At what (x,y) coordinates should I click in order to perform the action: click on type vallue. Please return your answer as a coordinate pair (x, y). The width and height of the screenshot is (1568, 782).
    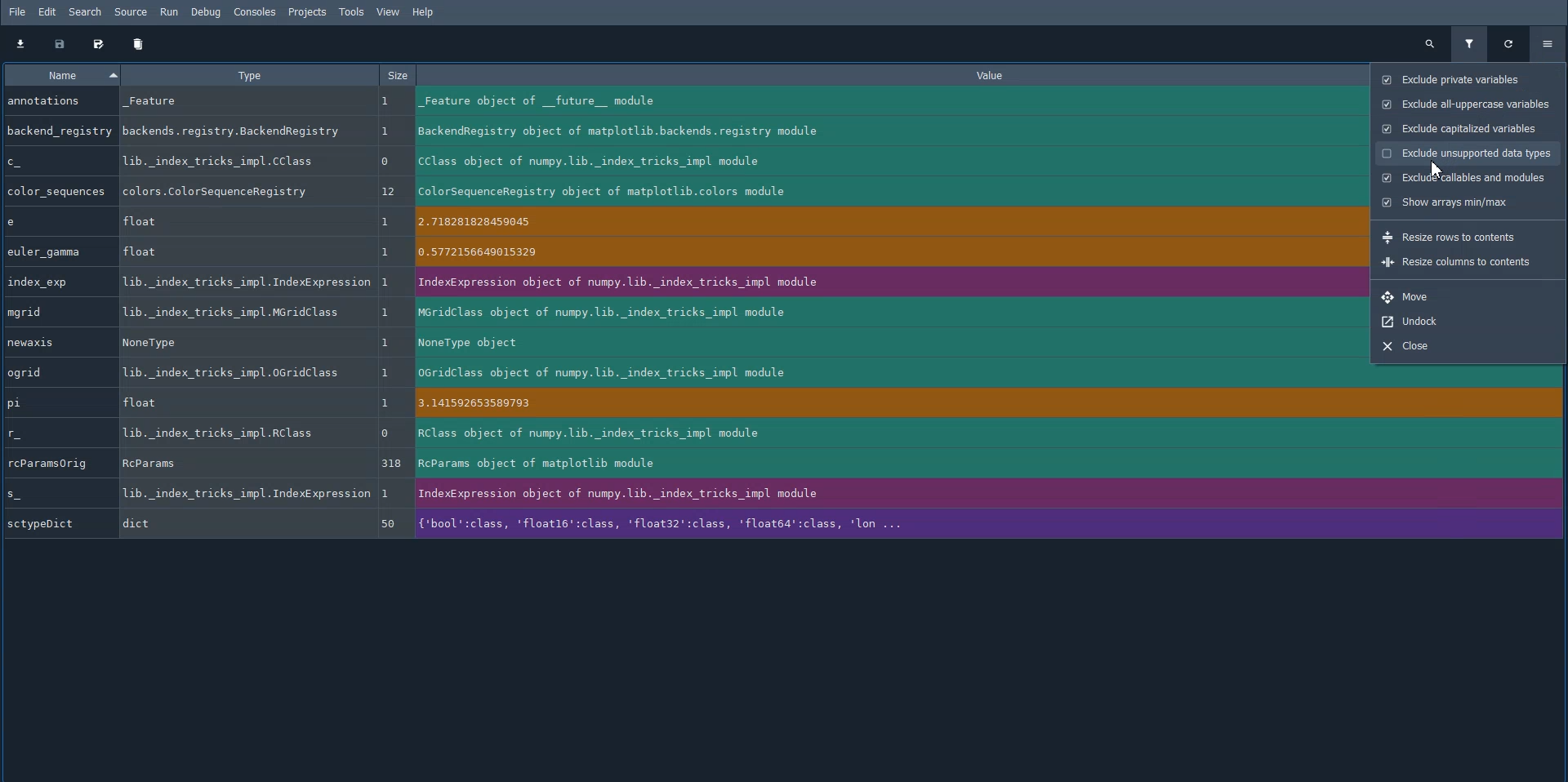
    Looking at the image, I should click on (238, 161).